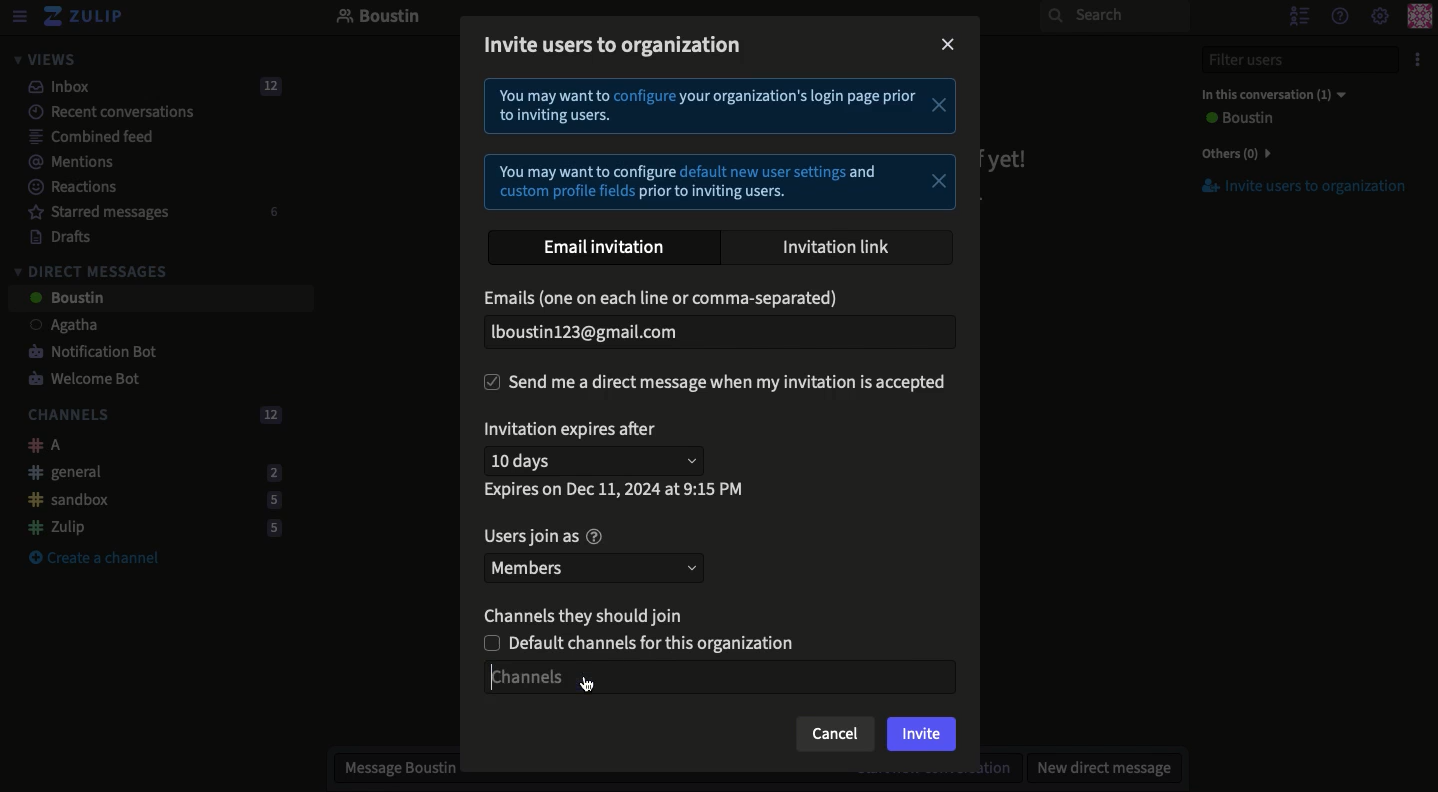  Describe the element at coordinates (1114, 16) in the screenshot. I see `Search ` at that location.